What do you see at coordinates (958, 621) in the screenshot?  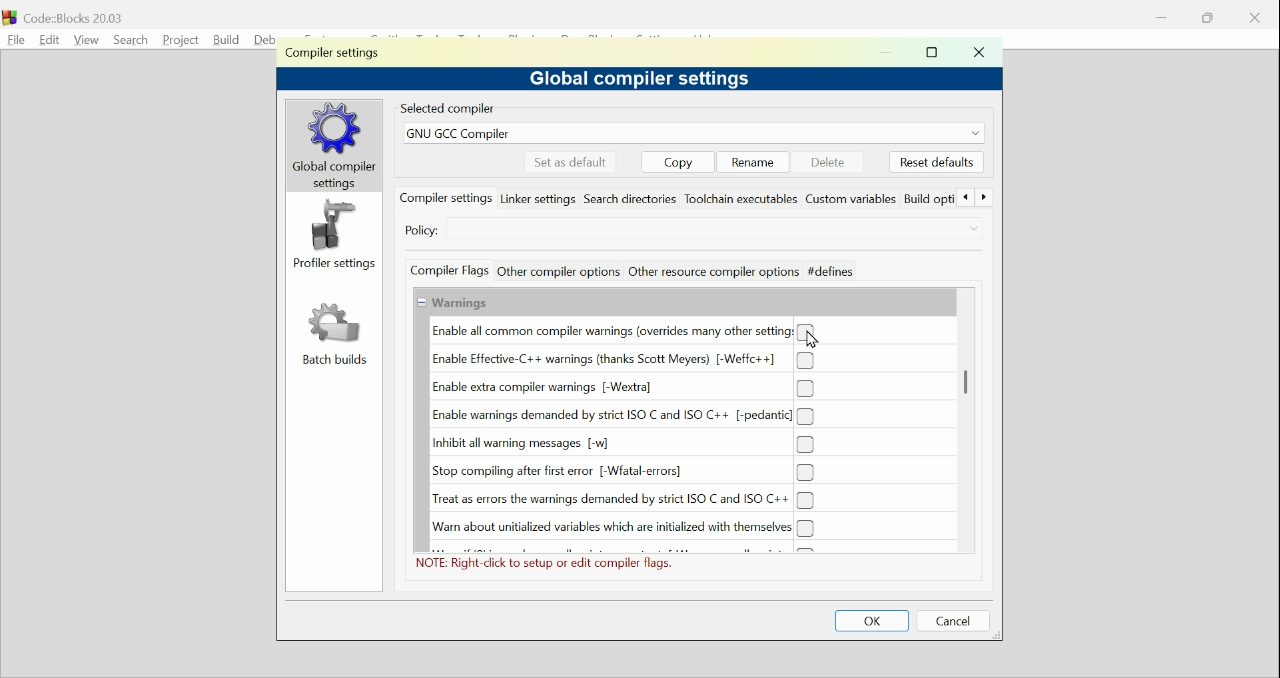 I see `Cancel` at bounding box center [958, 621].